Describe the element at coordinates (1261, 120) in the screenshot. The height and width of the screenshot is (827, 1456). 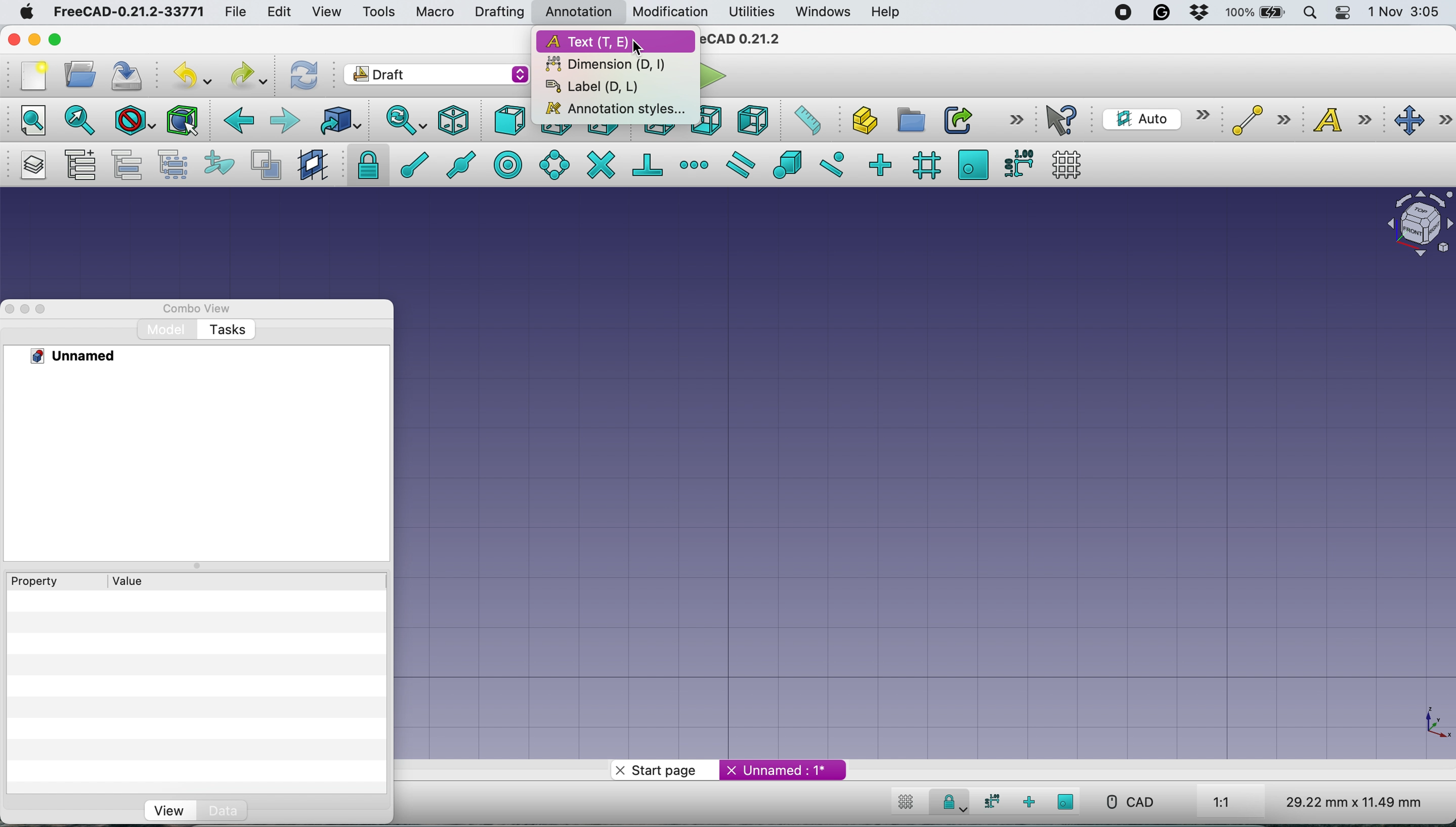
I see `line` at that location.